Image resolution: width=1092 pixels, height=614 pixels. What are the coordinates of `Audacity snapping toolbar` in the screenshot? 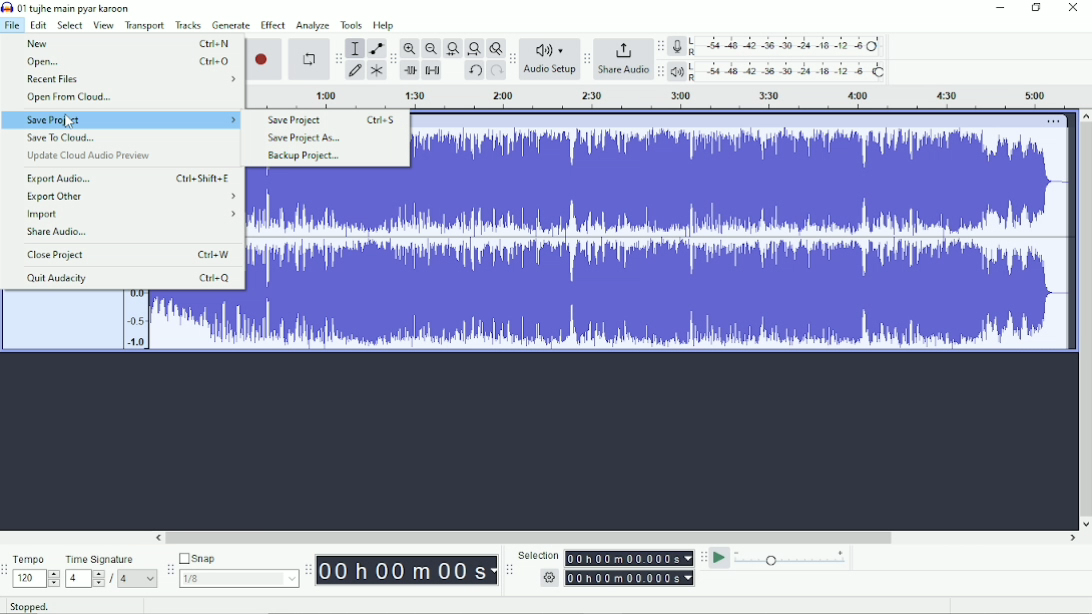 It's located at (170, 570).